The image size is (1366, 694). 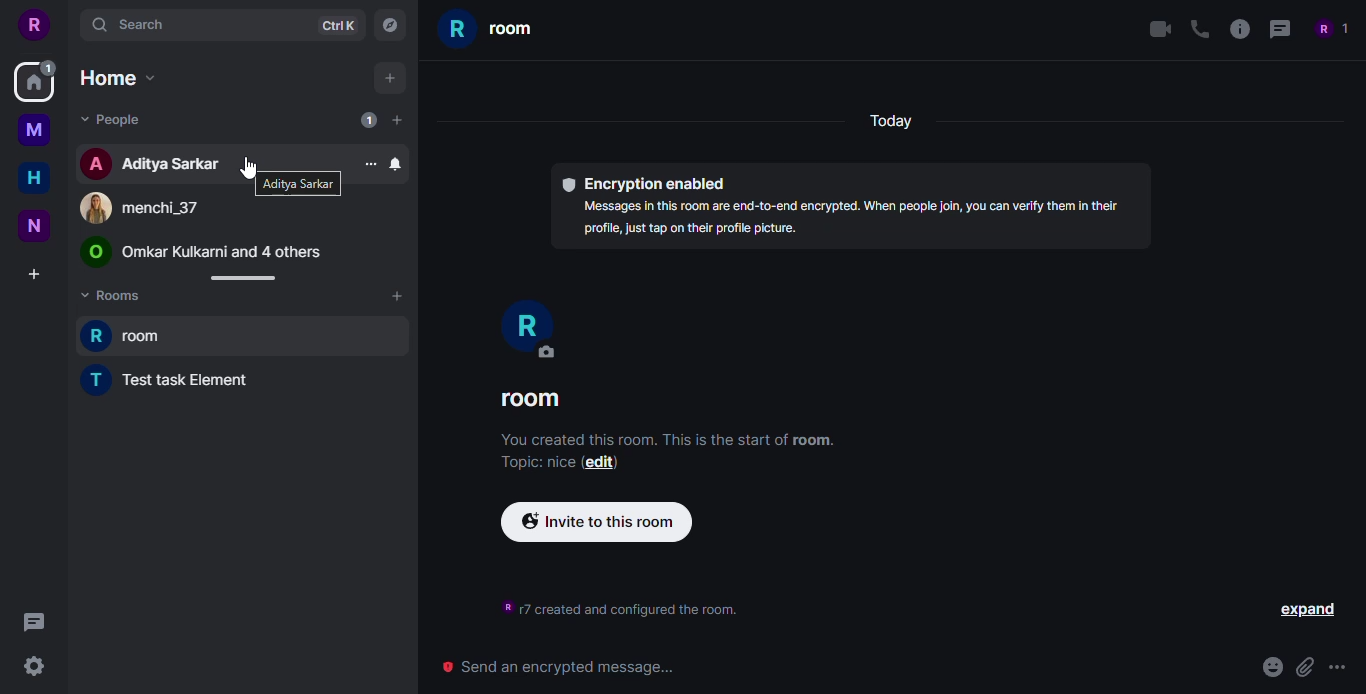 What do you see at coordinates (34, 274) in the screenshot?
I see `create a space` at bounding box center [34, 274].